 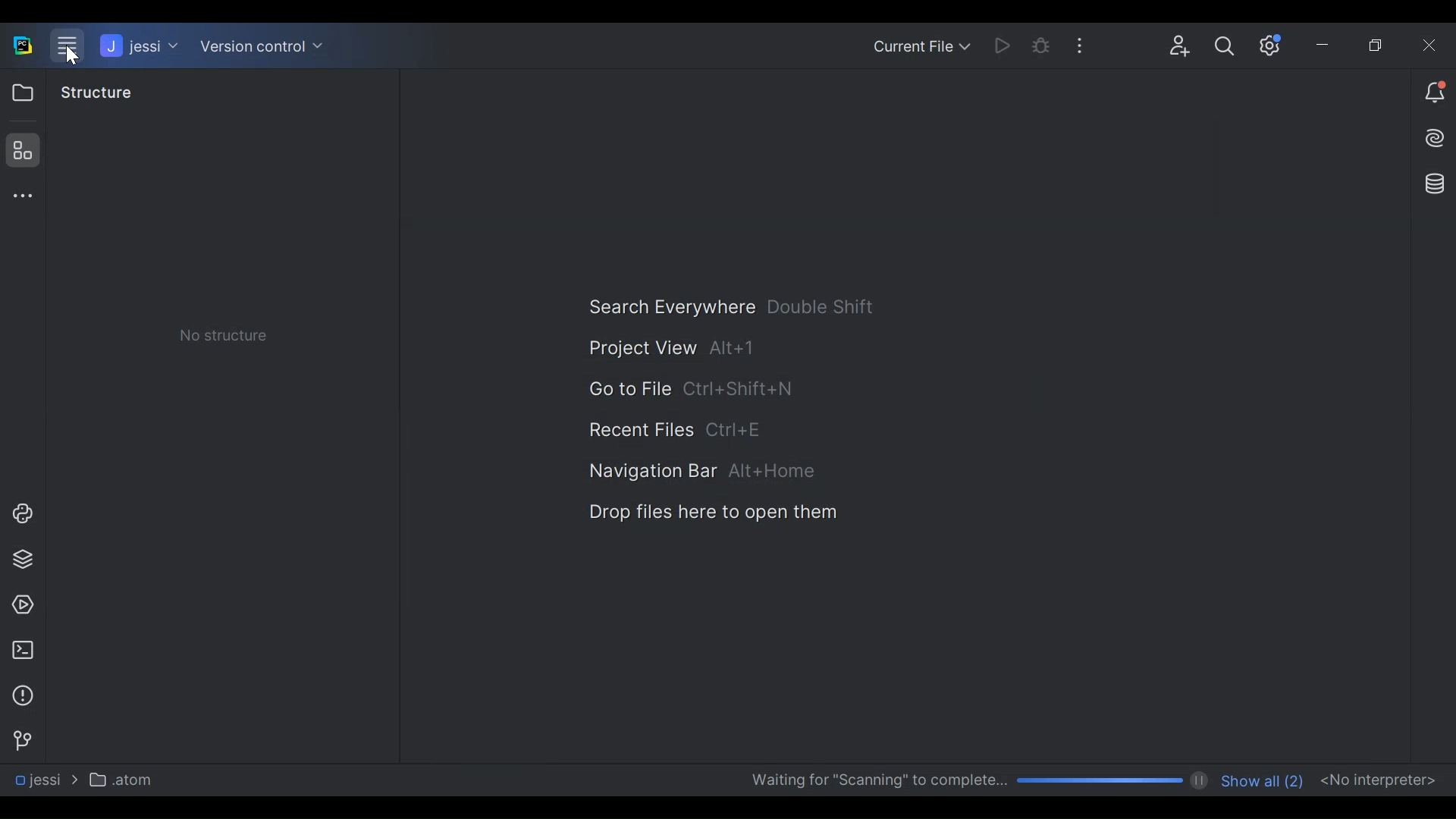 I want to click on Search Everywhere, so click(x=707, y=308).